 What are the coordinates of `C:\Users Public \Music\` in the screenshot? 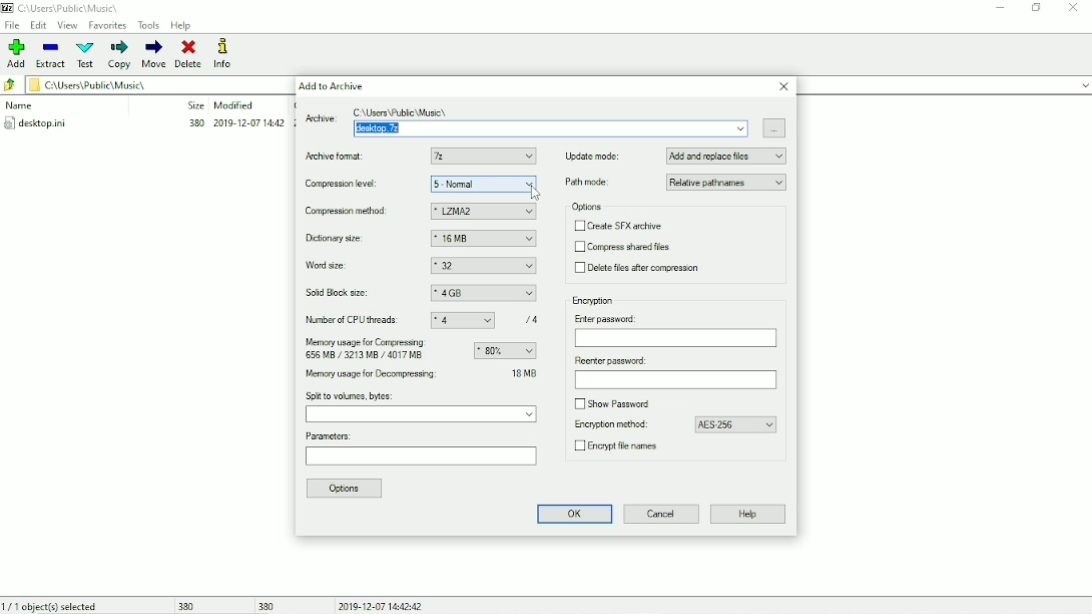 It's located at (402, 111).